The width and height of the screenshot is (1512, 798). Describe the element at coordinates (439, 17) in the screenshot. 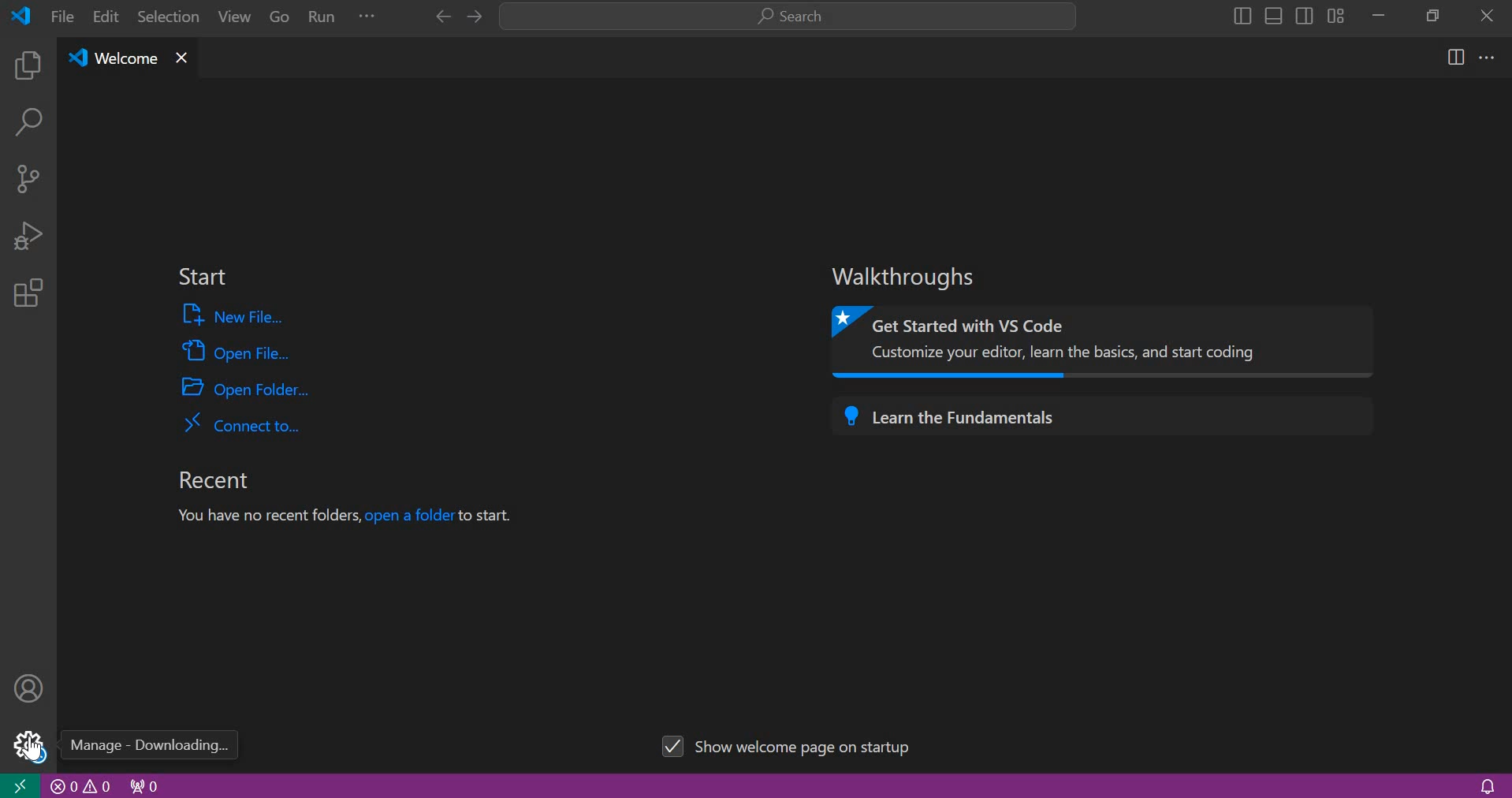

I see `go forward` at that location.